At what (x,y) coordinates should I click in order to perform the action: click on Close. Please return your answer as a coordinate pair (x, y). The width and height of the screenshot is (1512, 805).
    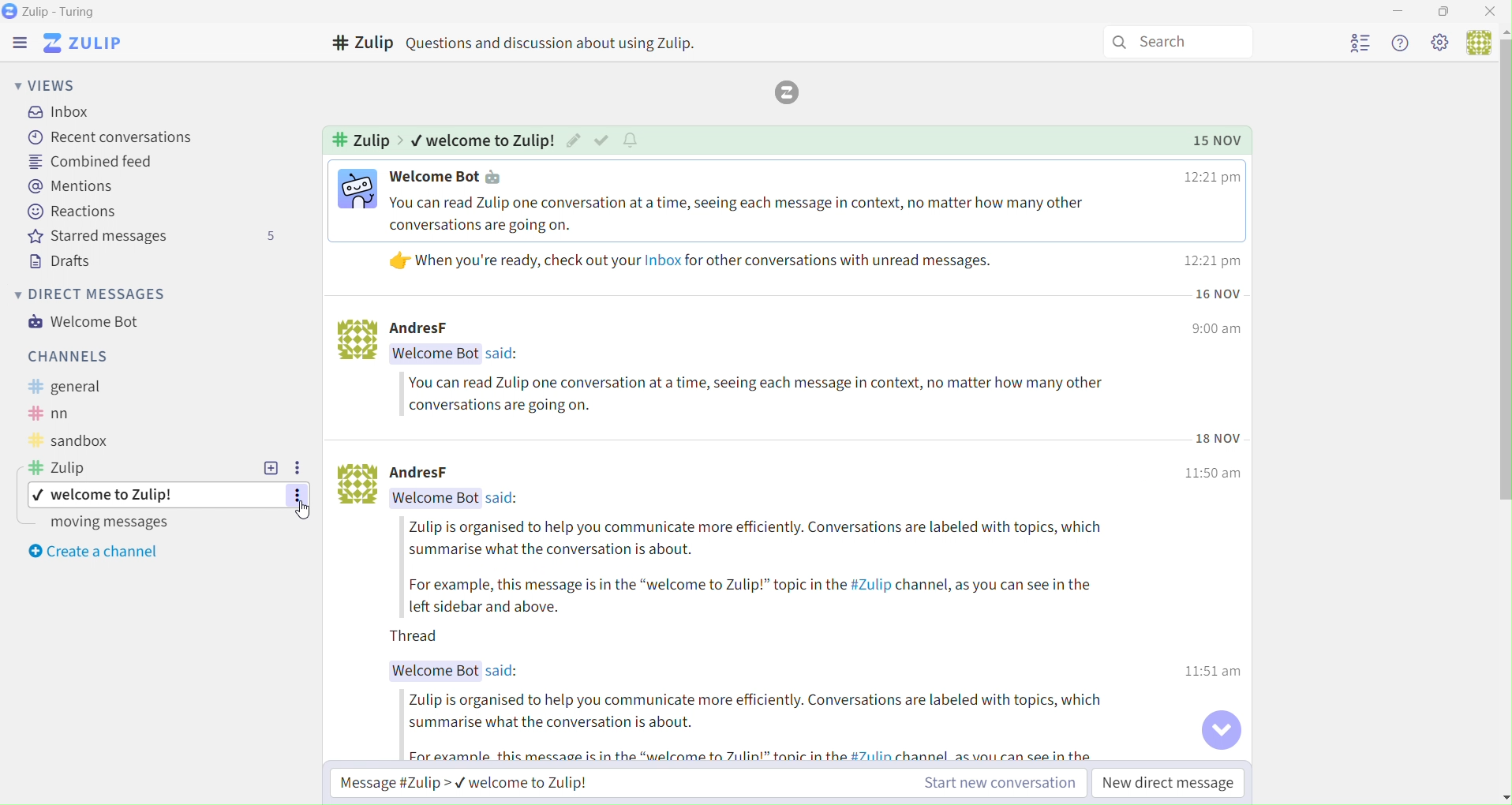
    Looking at the image, I should click on (1489, 12).